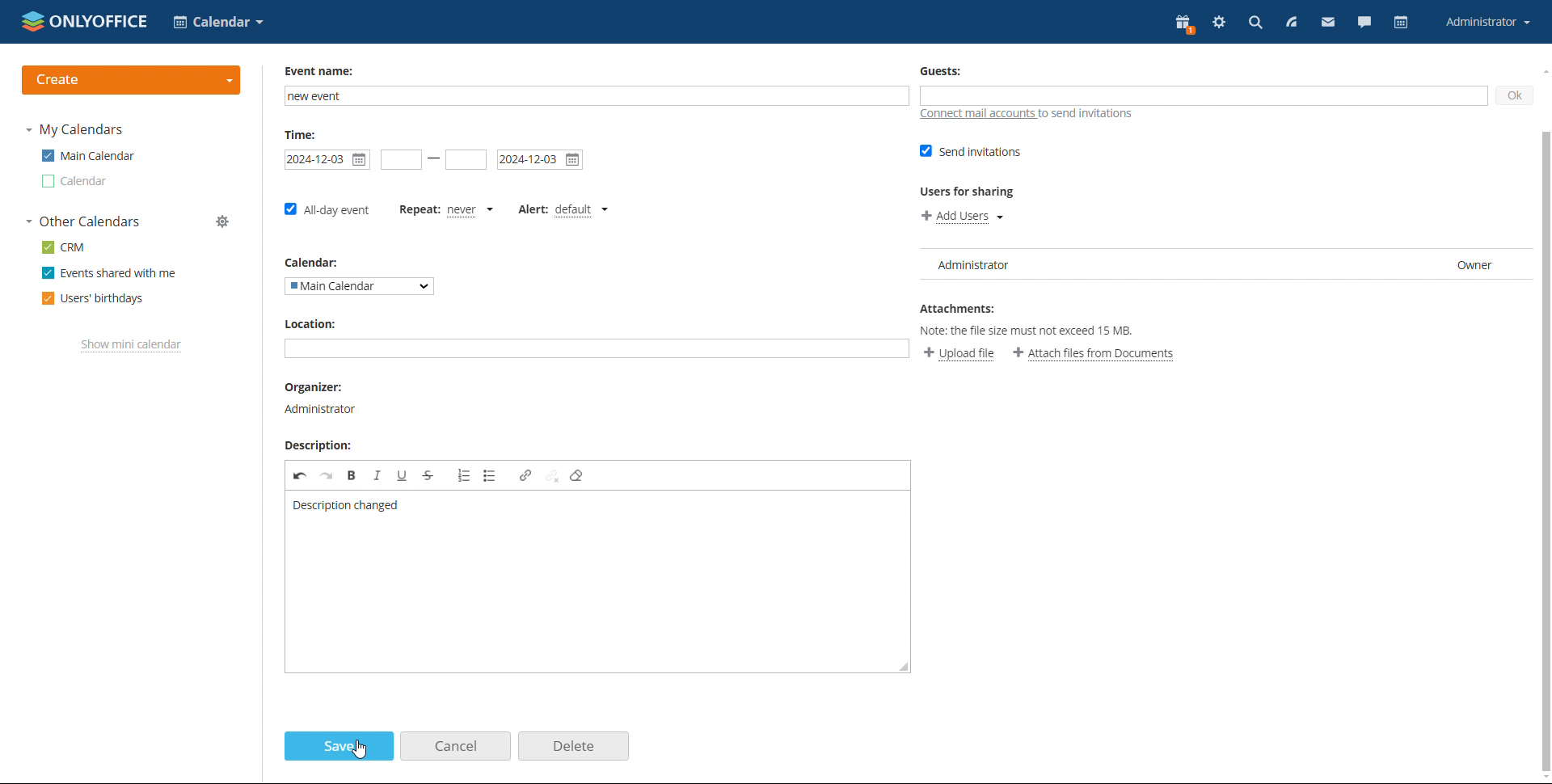 Image resolution: width=1552 pixels, height=784 pixels. Describe the element at coordinates (62, 248) in the screenshot. I see `crm` at that location.